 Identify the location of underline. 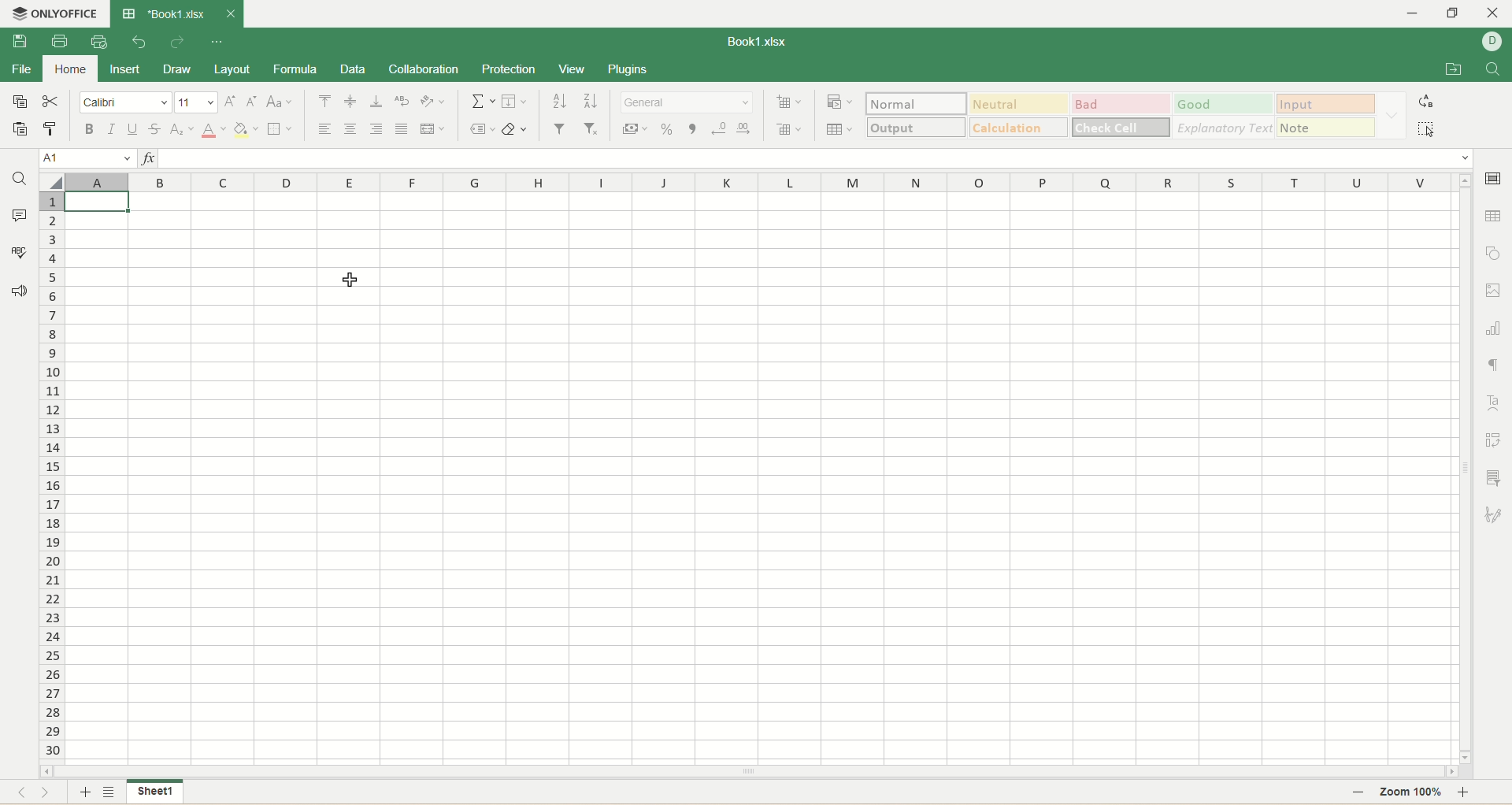
(132, 129).